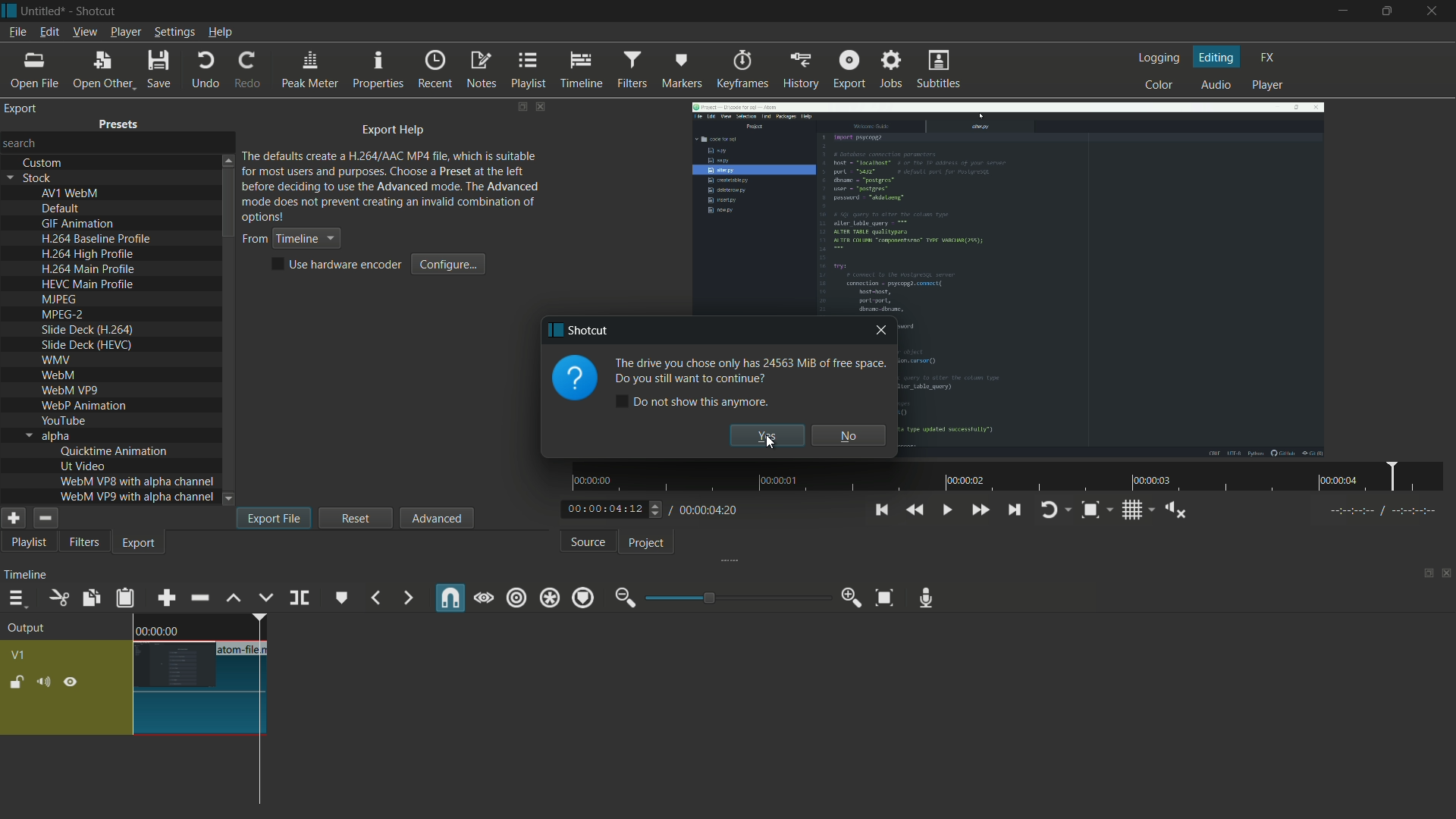  Describe the element at coordinates (99, 239) in the screenshot. I see `h.264 baseline profile` at that location.